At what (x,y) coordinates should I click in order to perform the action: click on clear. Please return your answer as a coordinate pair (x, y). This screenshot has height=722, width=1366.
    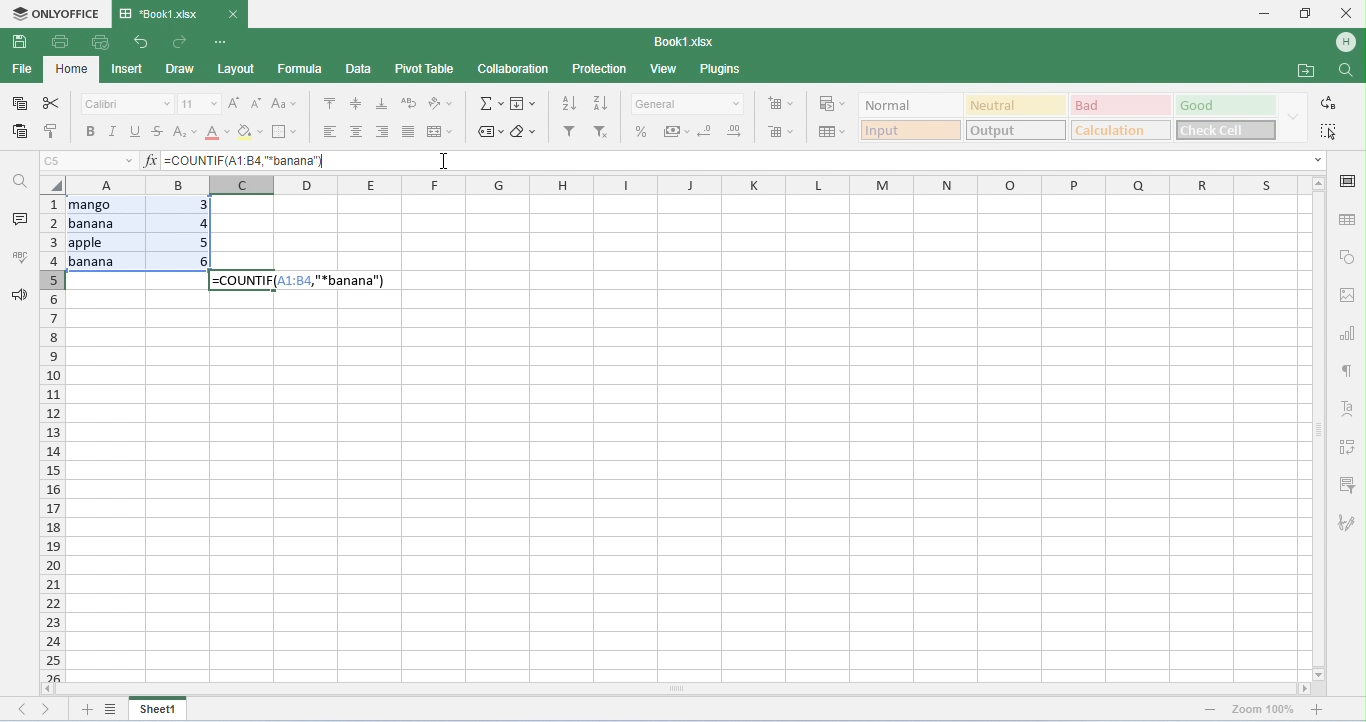
    Looking at the image, I should click on (524, 132).